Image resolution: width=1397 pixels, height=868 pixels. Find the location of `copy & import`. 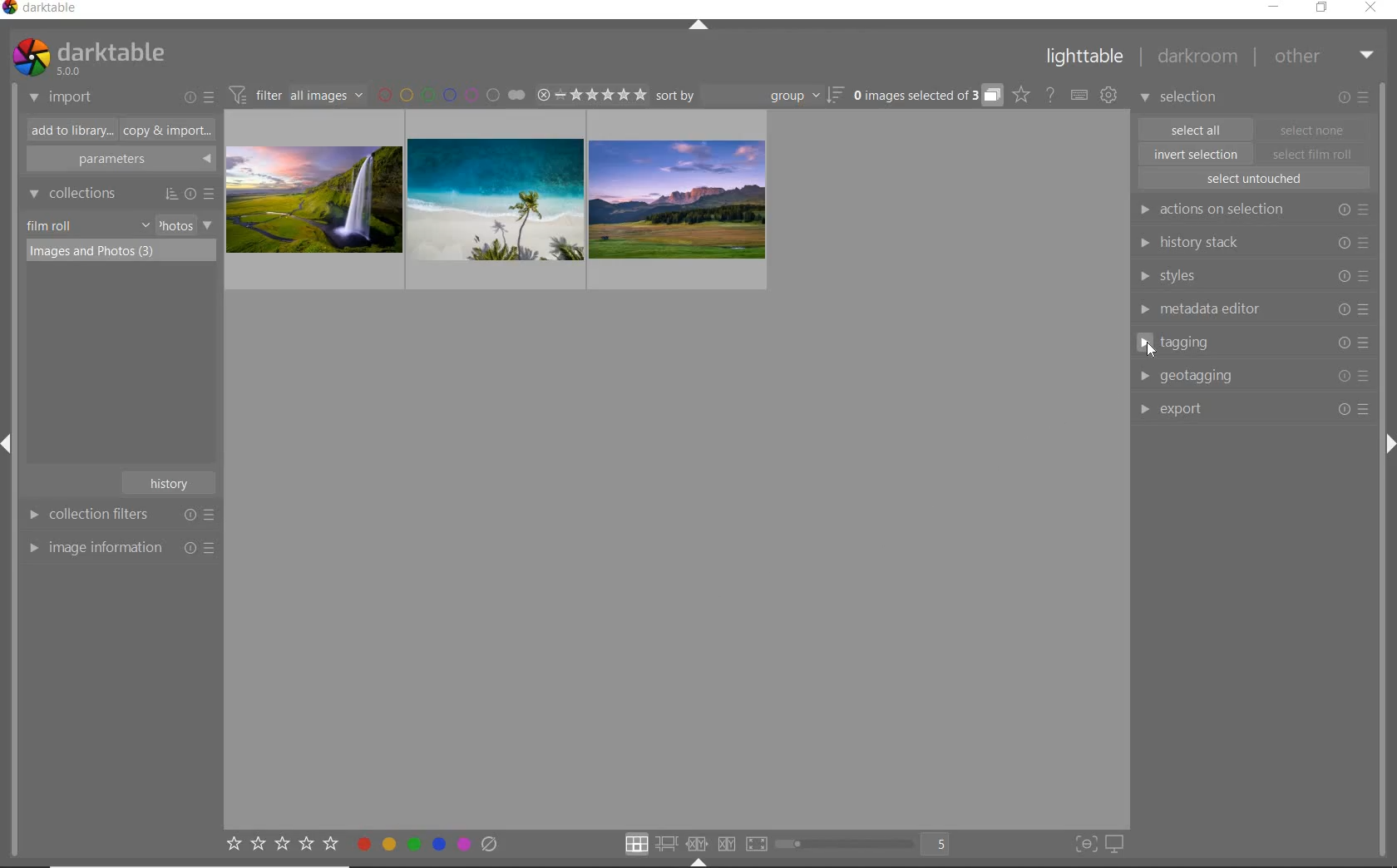

copy & import is located at coordinates (164, 131).